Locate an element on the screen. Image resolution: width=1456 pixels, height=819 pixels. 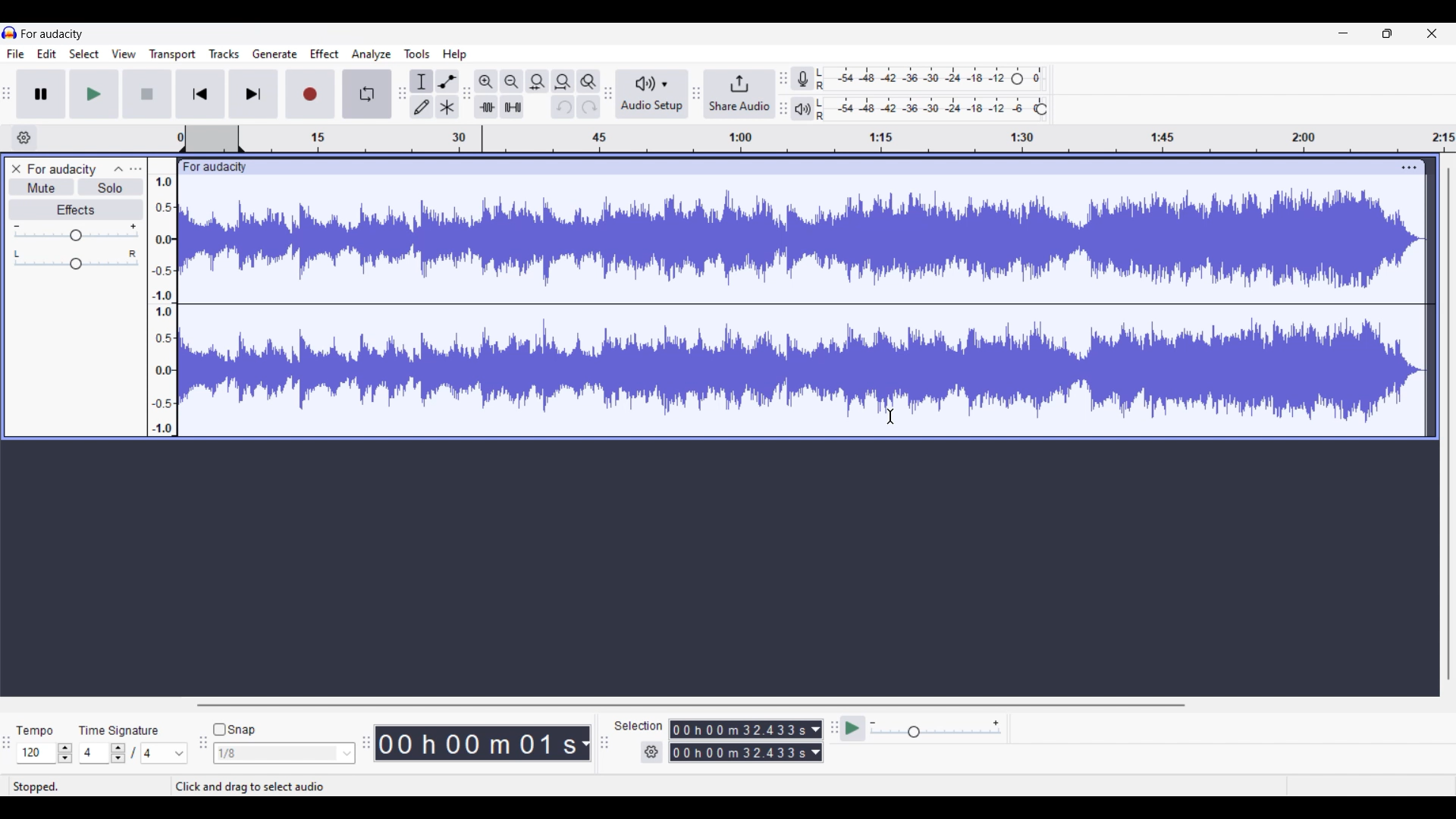
Analyze menu is located at coordinates (372, 55).